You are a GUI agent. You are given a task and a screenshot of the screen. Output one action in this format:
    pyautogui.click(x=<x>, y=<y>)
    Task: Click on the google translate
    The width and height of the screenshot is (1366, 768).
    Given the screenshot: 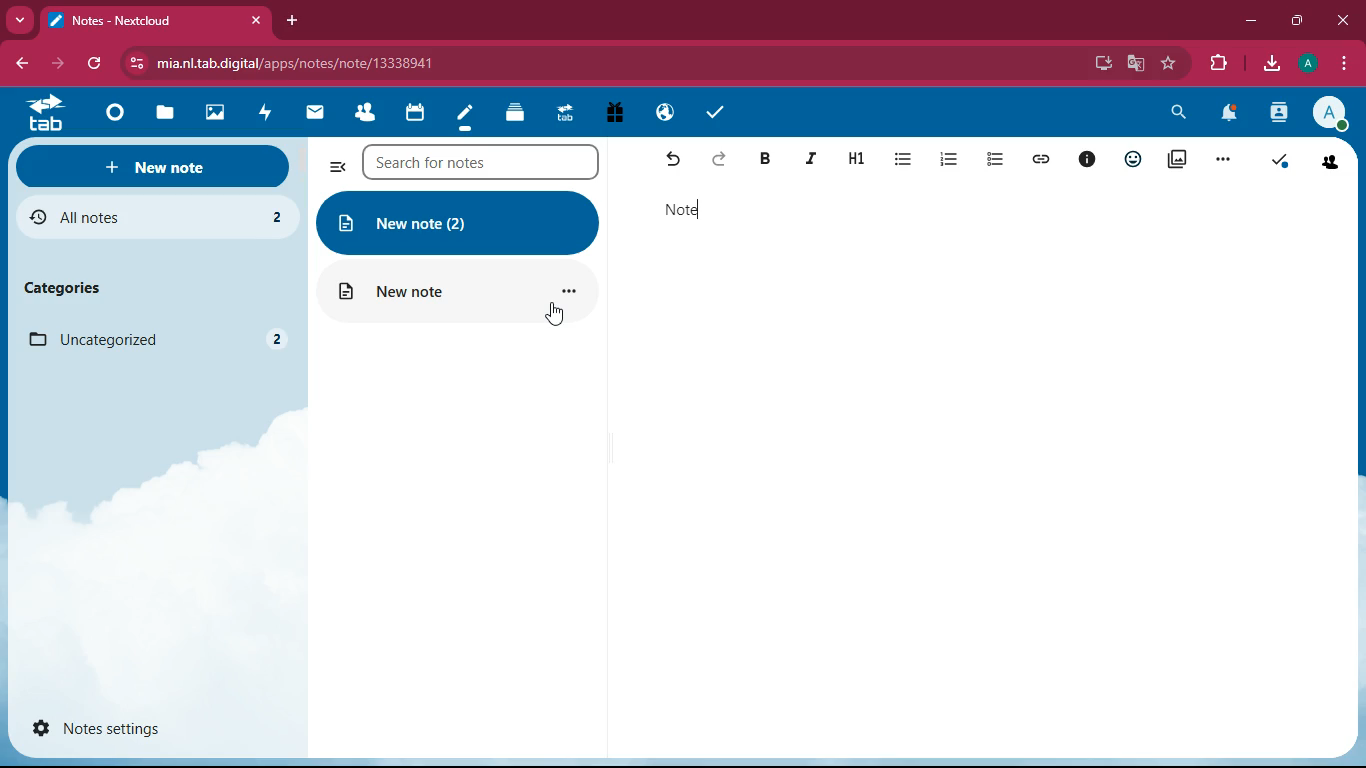 What is the action you would take?
    pyautogui.click(x=1133, y=64)
    